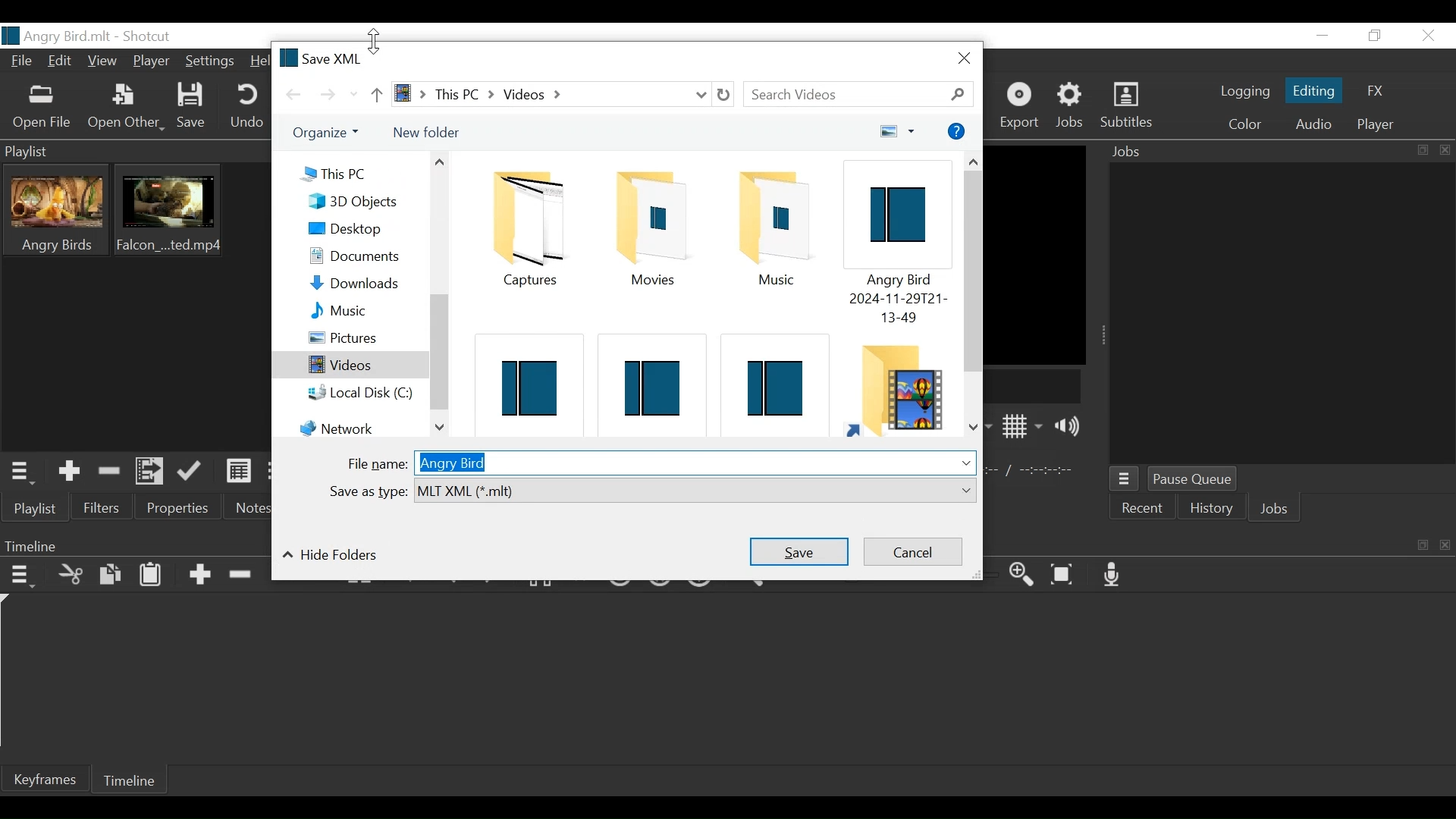  Describe the element at coordinates (212, 60) in the screenshot. I see `Settings` at that location.